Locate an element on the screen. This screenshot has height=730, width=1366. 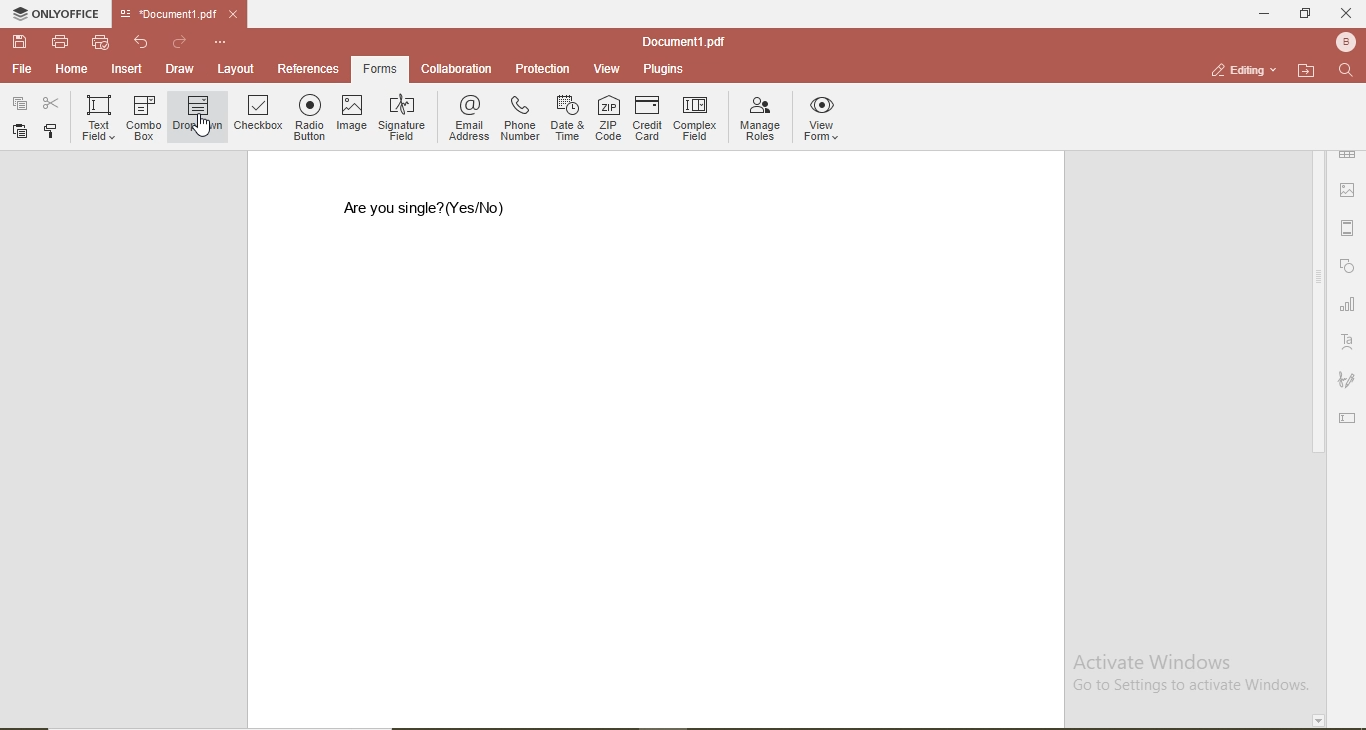
font style is located at coordinates (1350, 341).